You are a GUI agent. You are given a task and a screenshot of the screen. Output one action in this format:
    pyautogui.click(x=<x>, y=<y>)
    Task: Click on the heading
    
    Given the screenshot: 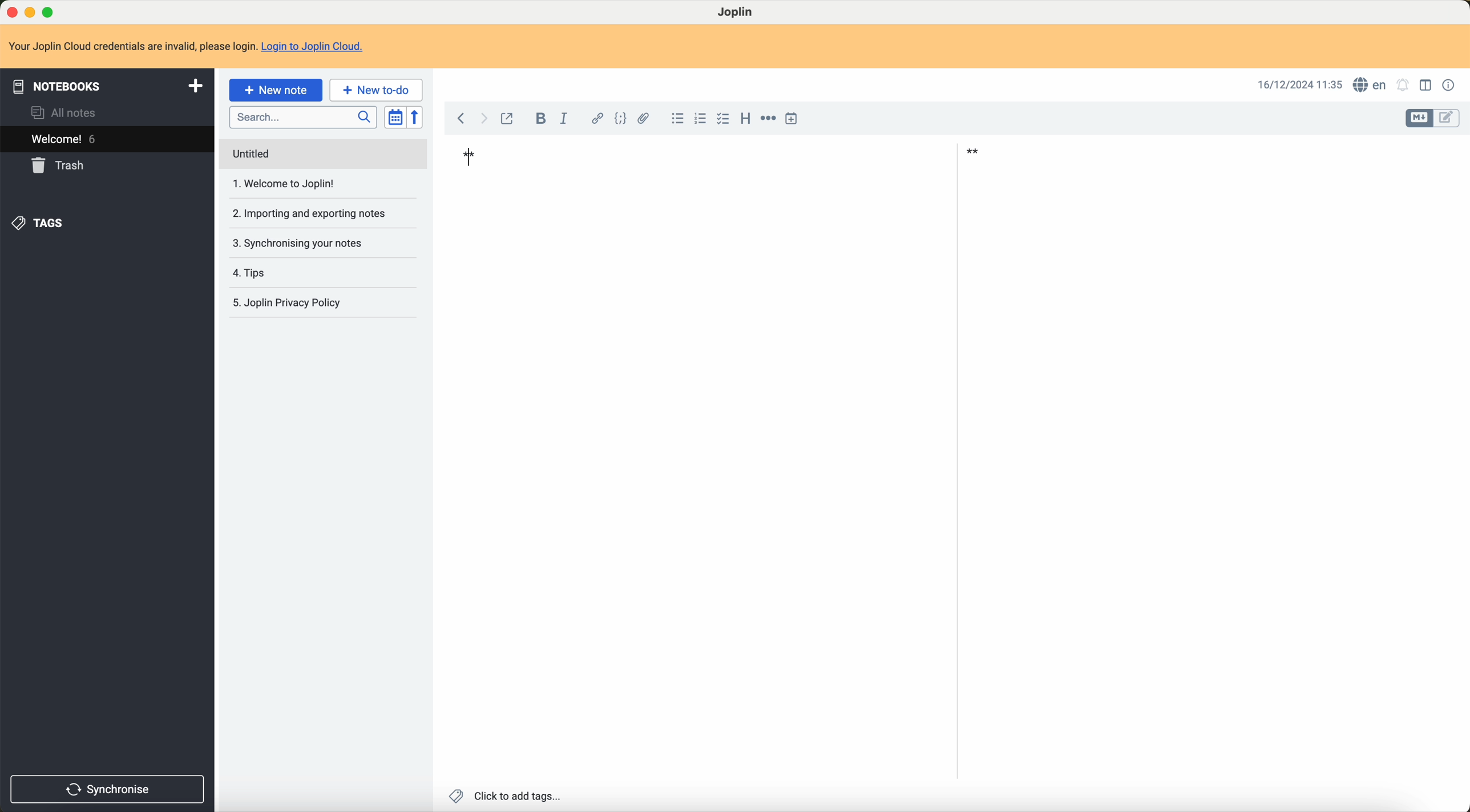 What is the action you would take?
    pyautogui.click(x=743, y=119)
    